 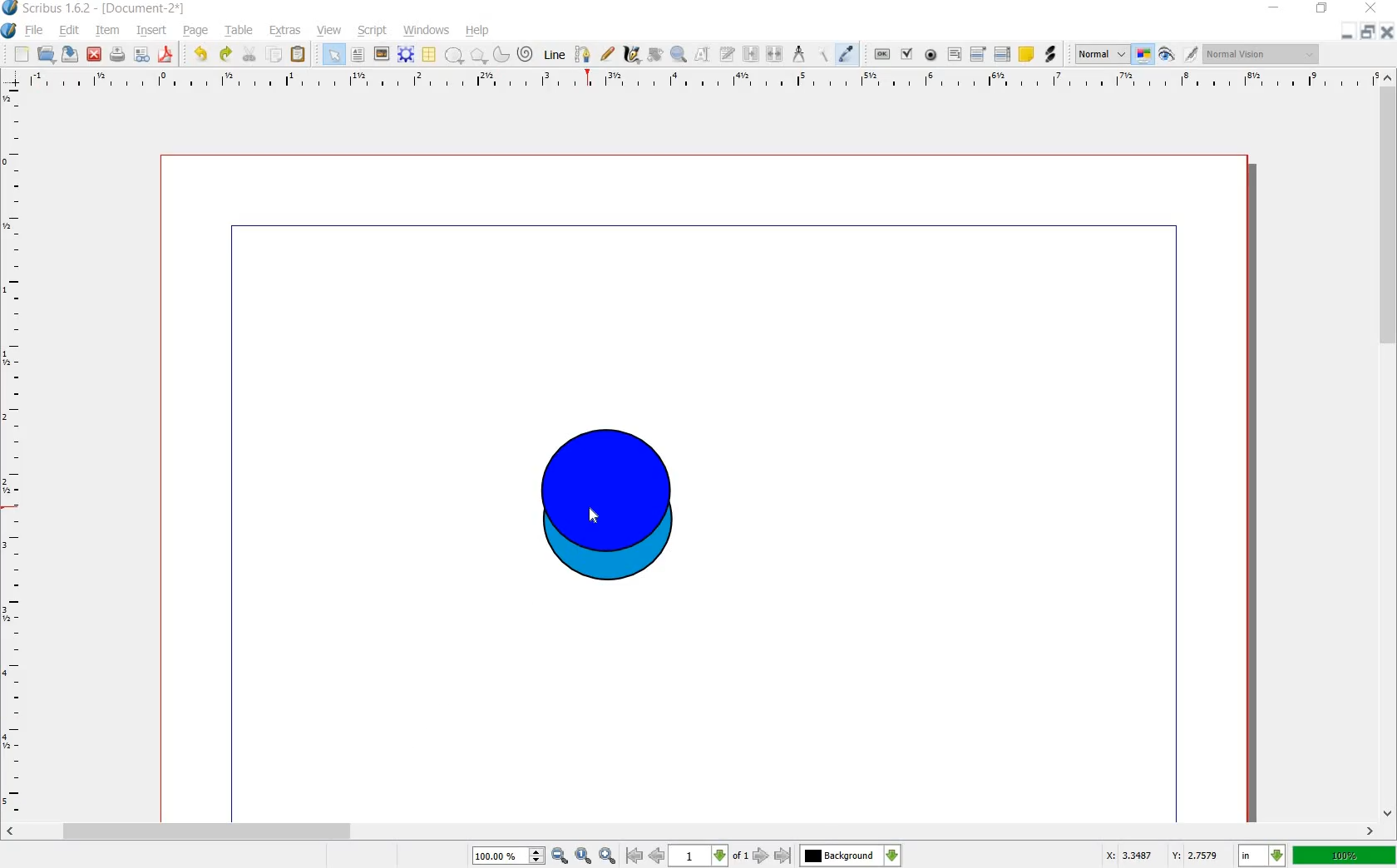 I want to click on unlink text frames, so click(x=777, y=55).